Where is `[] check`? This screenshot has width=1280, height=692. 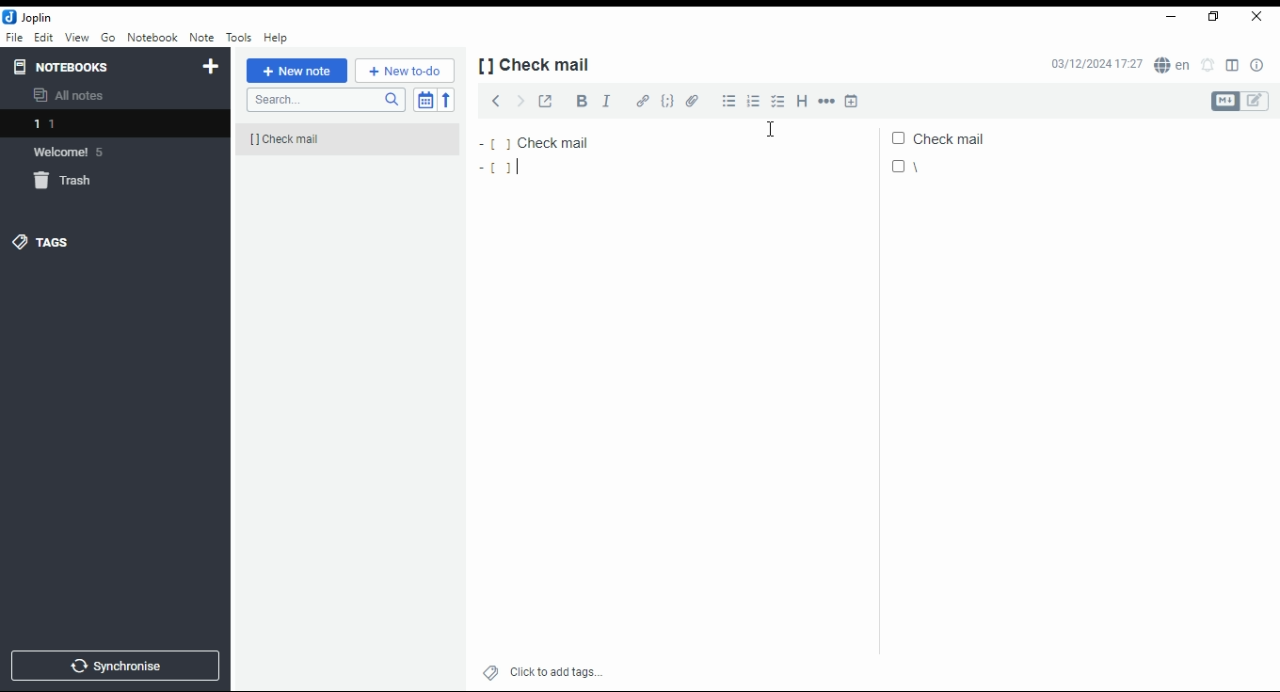
[] check is located at coordinates (332, 139).